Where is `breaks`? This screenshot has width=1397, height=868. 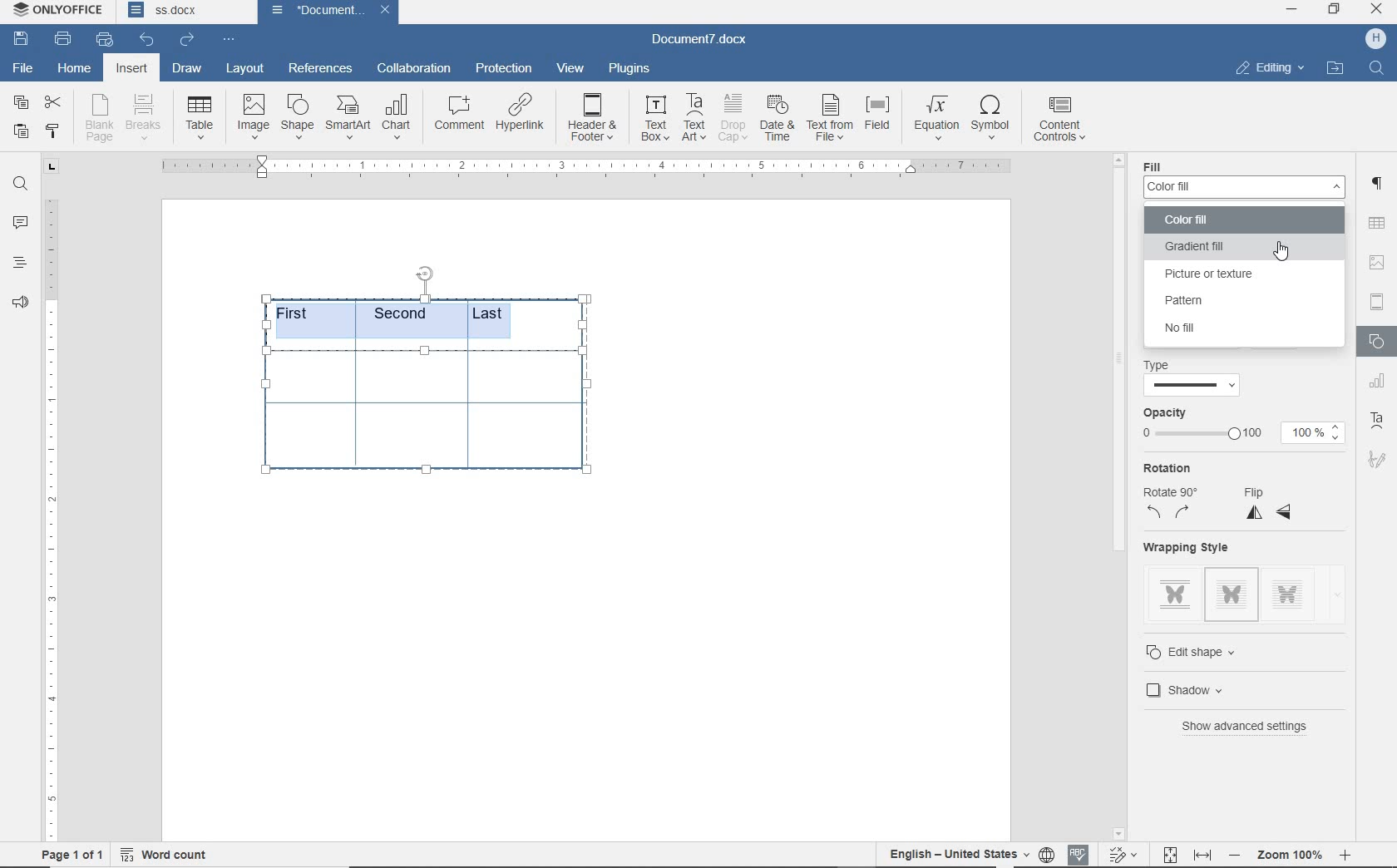
breaks is located at coordinates (146, 117).